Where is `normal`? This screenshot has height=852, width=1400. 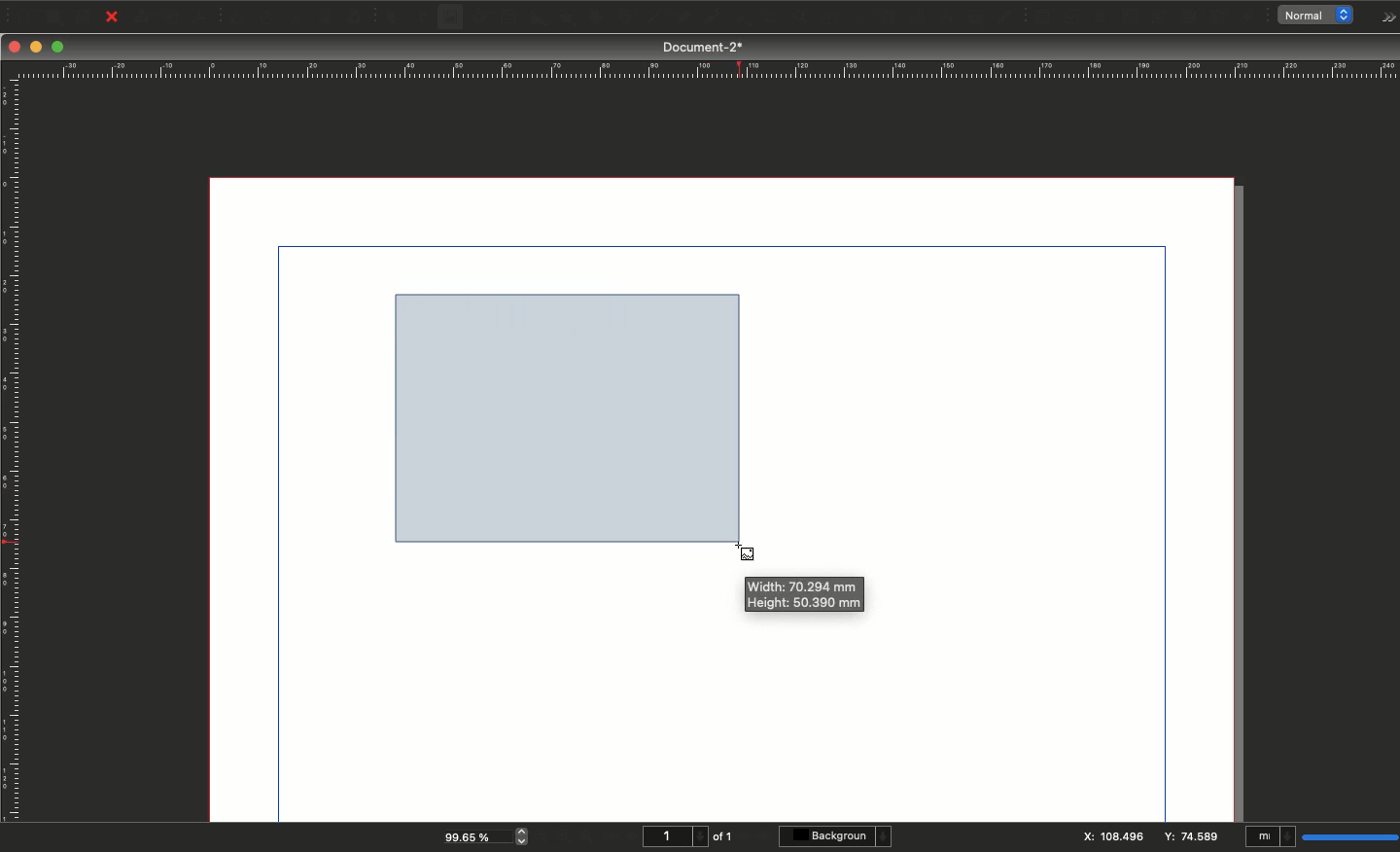
normal is located at coordinates (1320, 16).